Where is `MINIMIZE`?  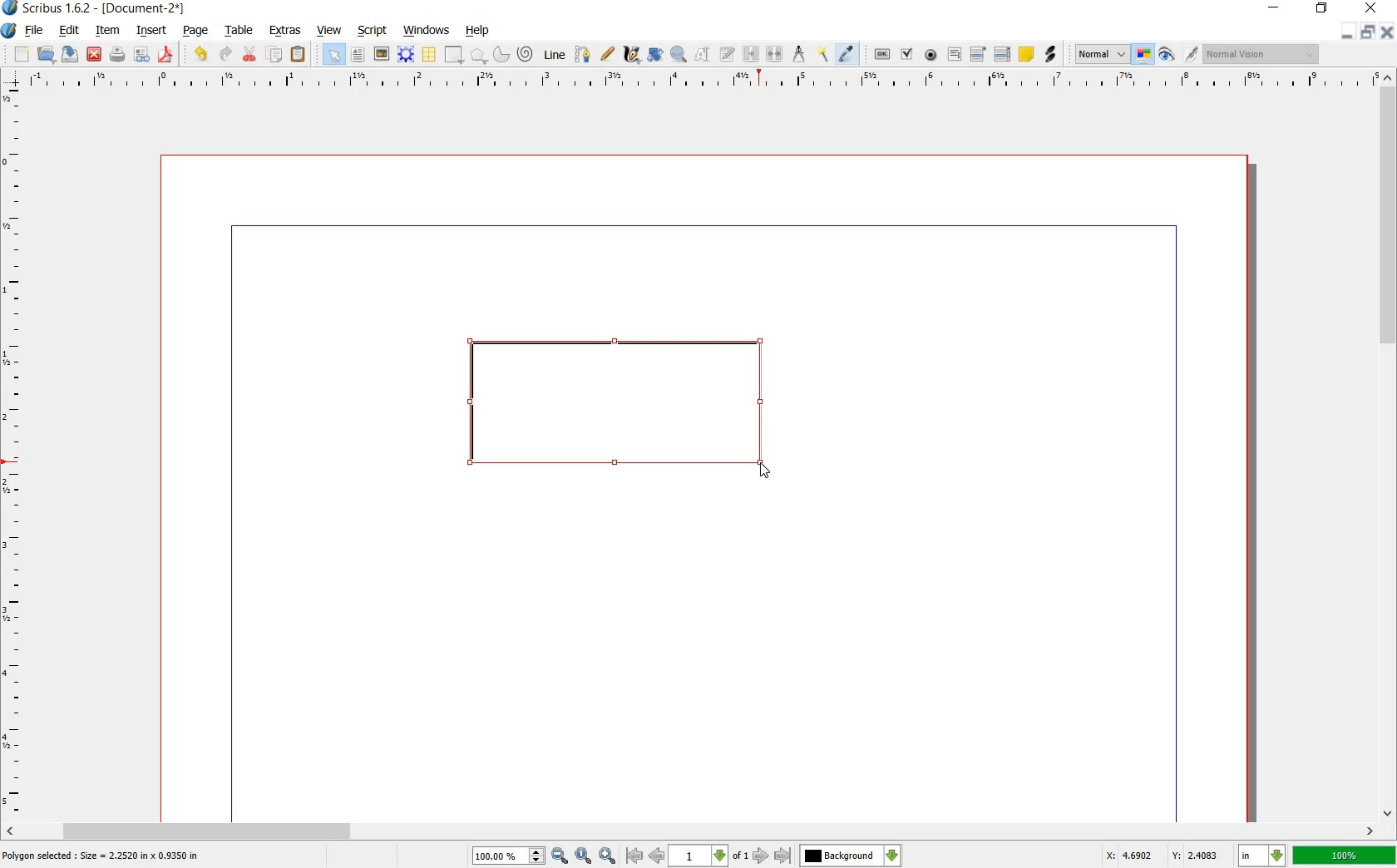
MINIMIZE is located at coordinates (1350, 32).